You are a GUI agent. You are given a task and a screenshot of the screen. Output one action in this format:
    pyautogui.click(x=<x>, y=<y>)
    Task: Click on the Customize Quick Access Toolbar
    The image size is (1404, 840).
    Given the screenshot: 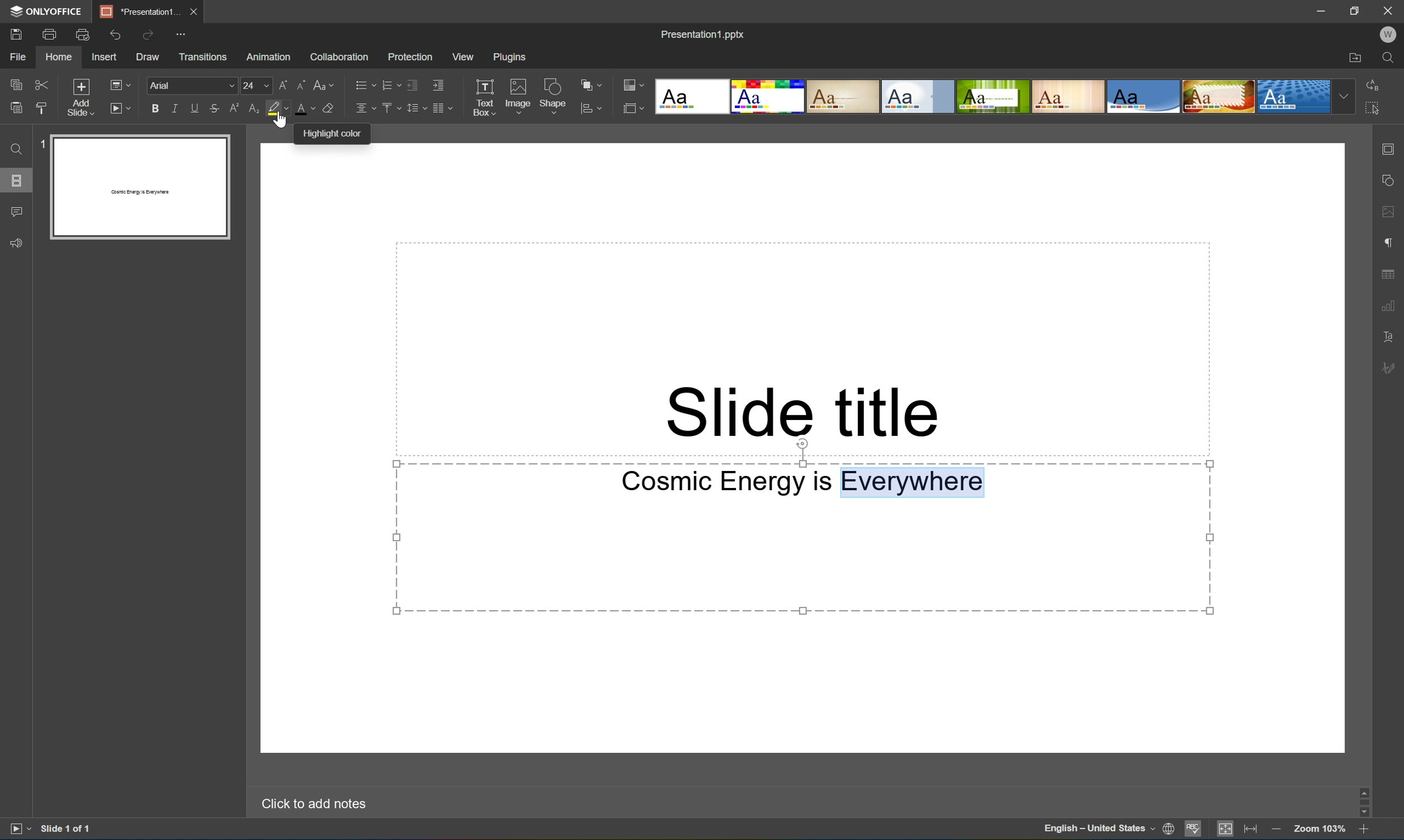 What is the action you would take?
    pyautogui.click(x=179, y=35)
    